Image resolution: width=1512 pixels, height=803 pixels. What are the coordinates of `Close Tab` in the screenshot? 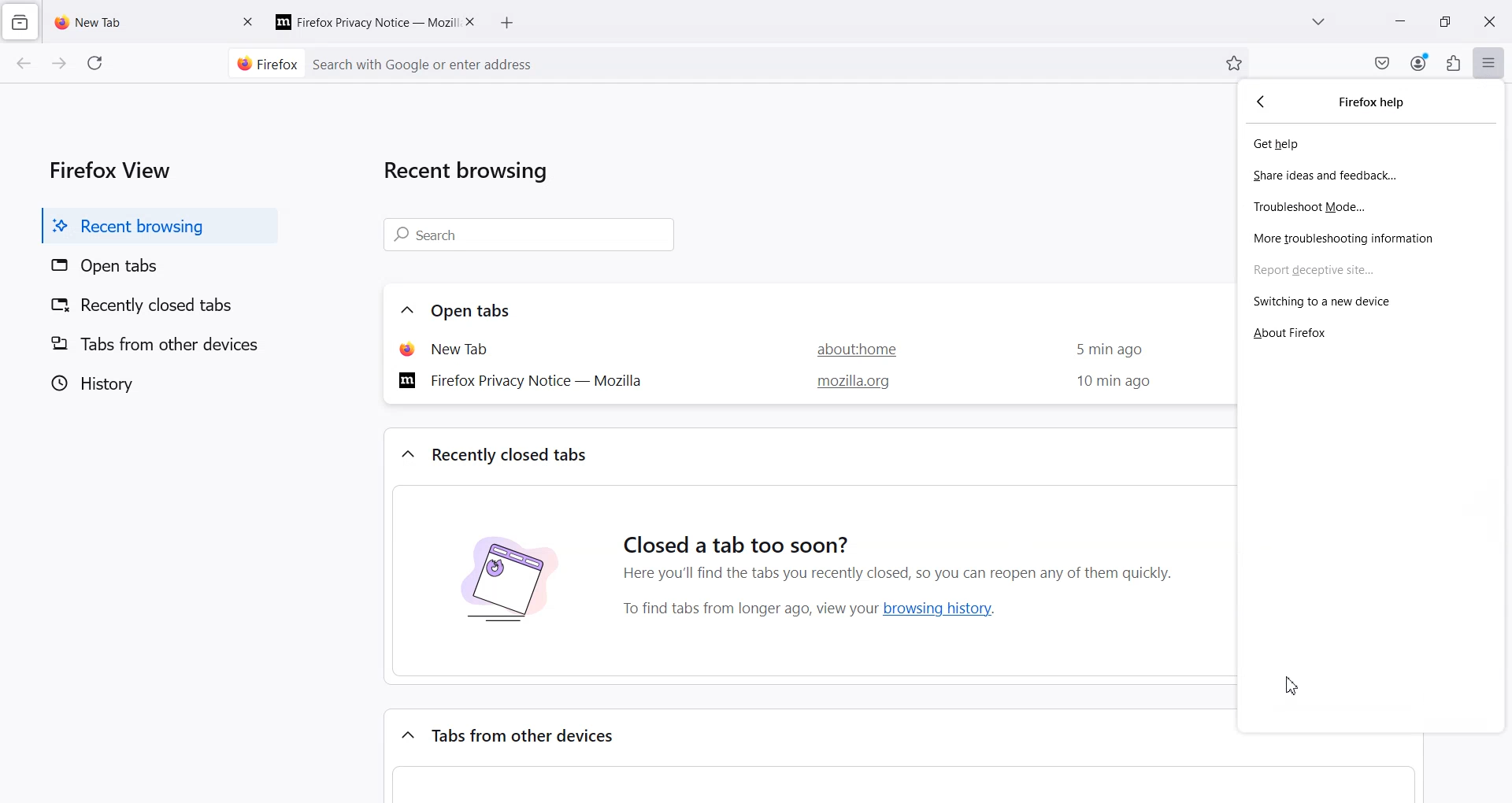 It's located at (249, 20).